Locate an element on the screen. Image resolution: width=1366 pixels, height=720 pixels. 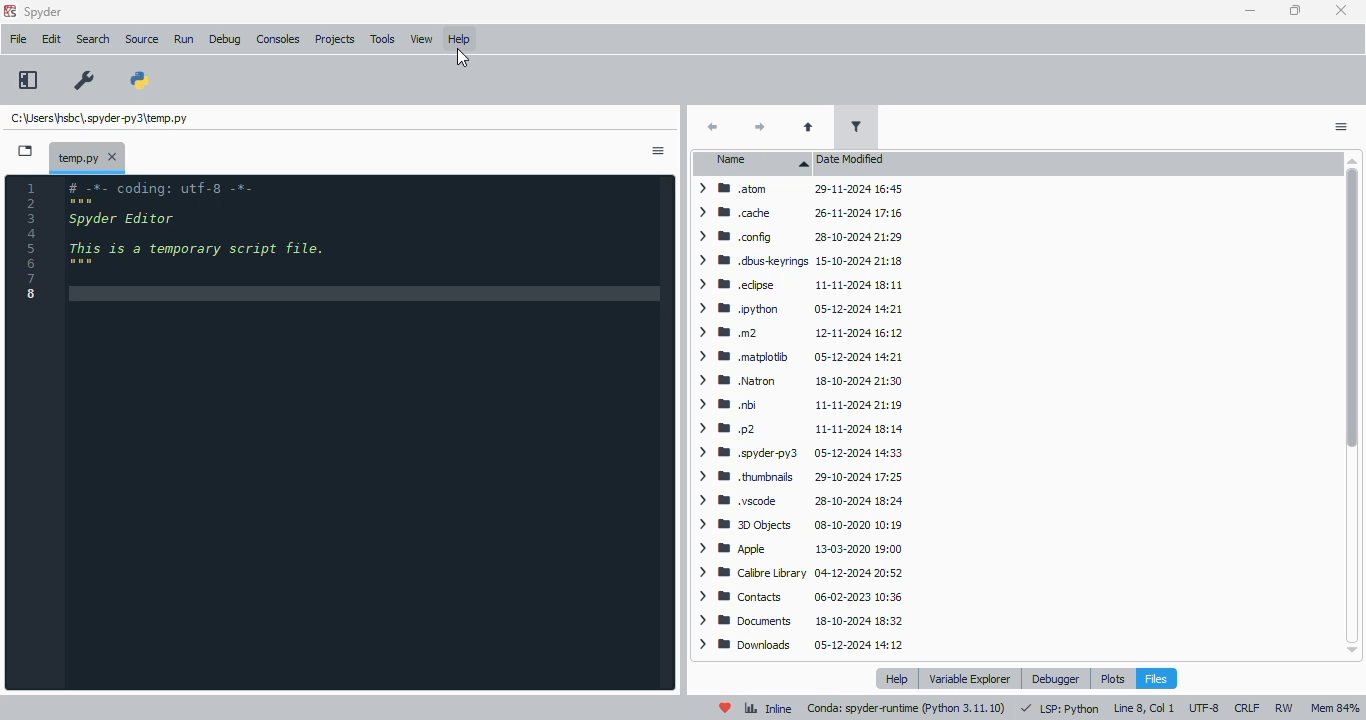
parent is located at coordinates (809, 127).